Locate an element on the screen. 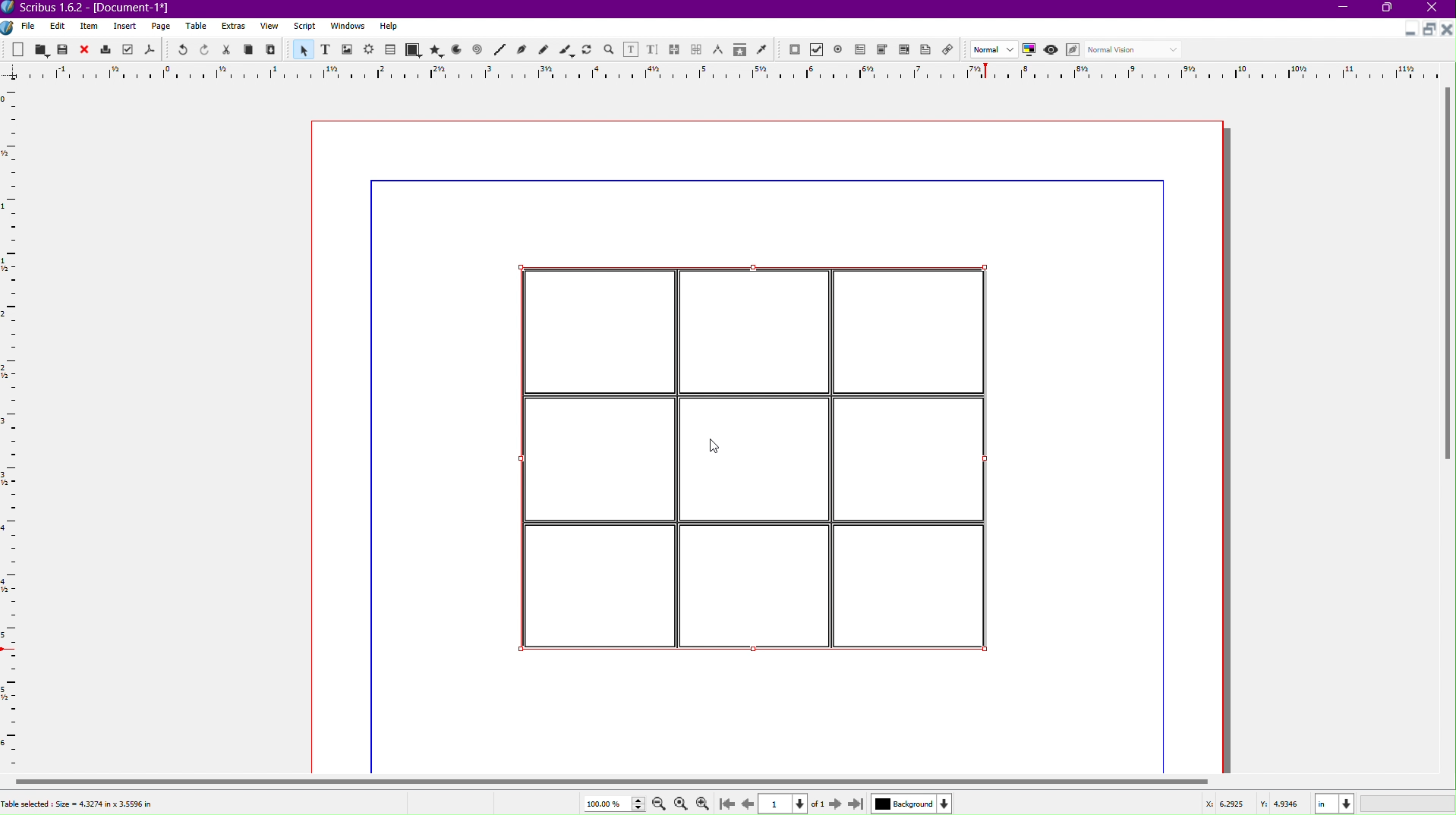  Polygon is located at coordinates (437, 50).